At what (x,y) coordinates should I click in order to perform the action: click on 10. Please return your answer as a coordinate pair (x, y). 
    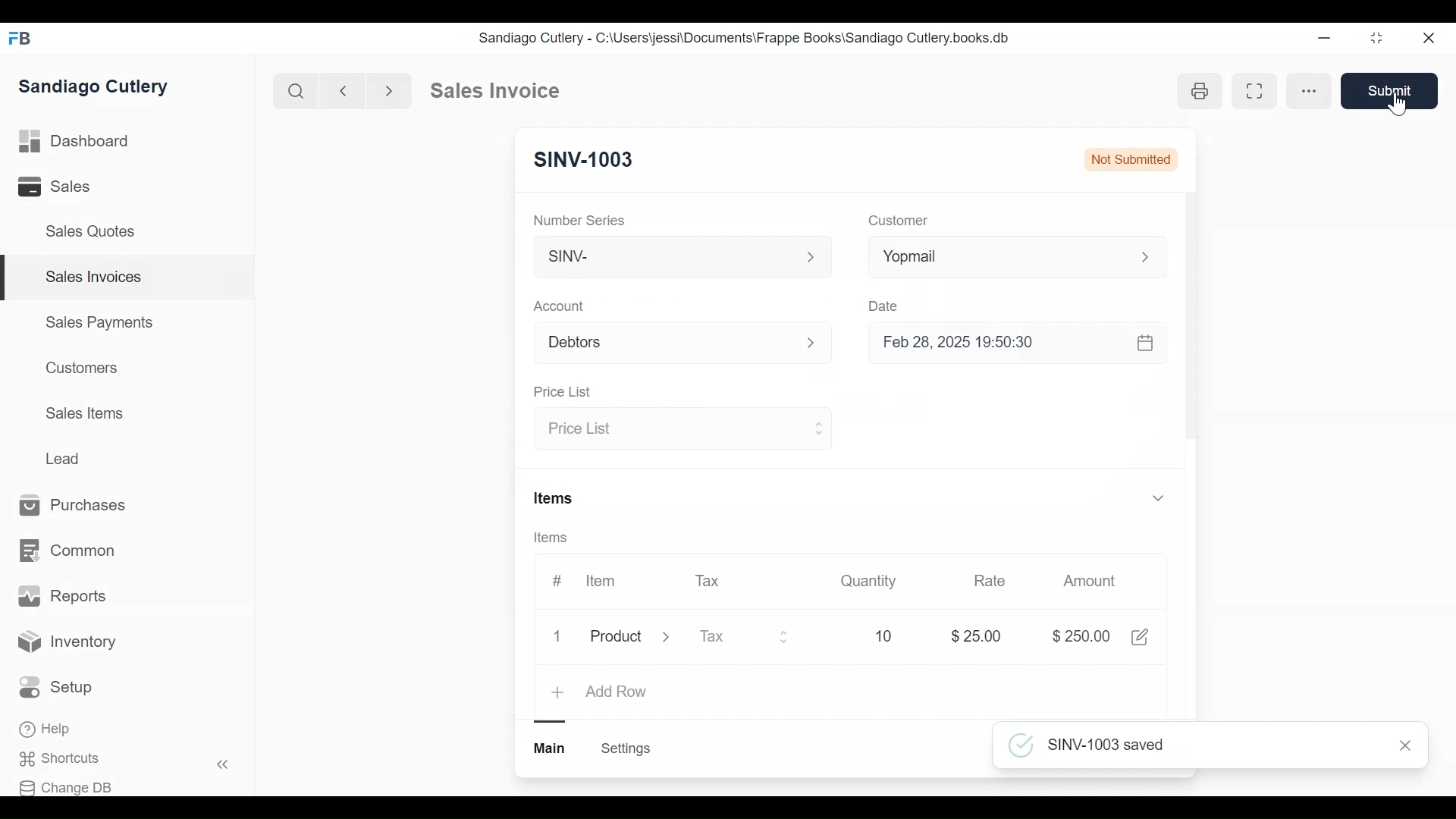
    Looking at the image, I should click on (887, 635).